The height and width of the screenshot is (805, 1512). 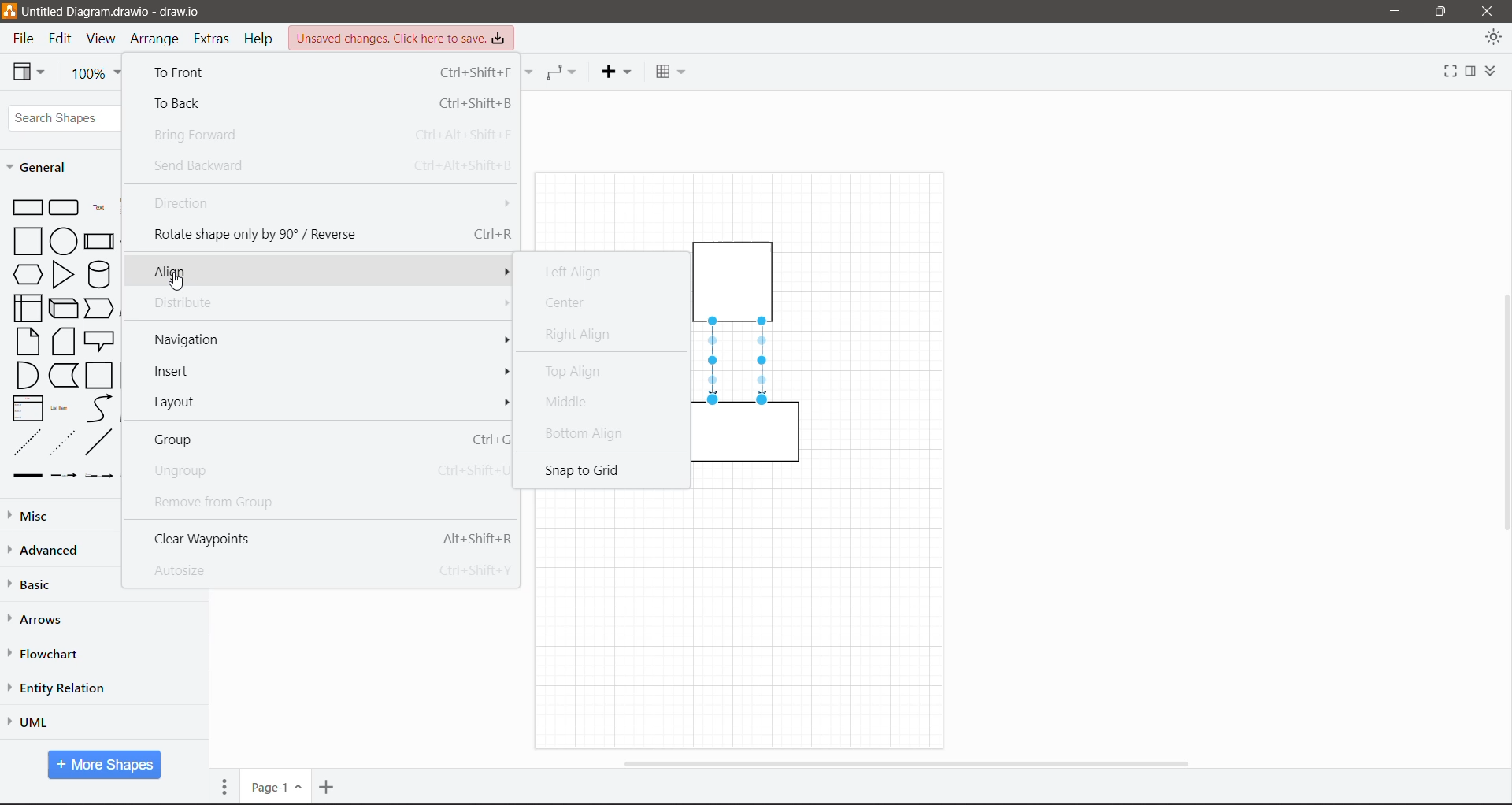 I want to click on Connection, so click(x=529, y=72).